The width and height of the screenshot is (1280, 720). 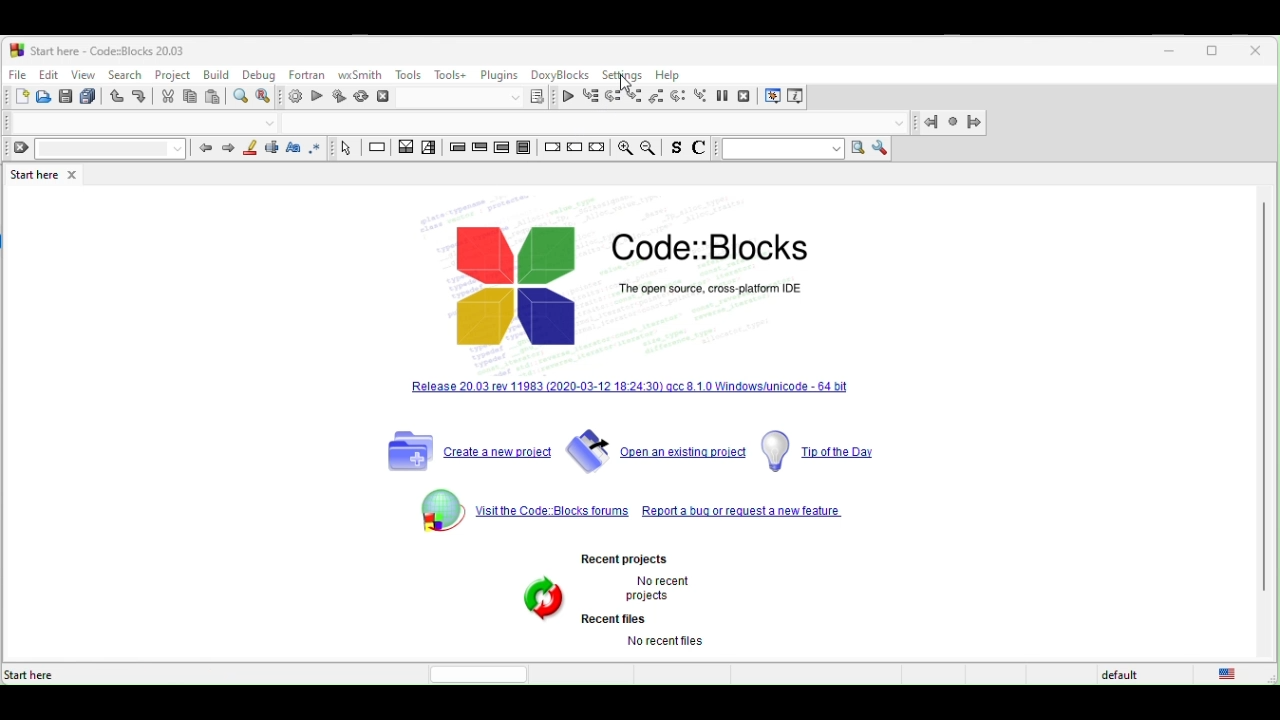 What do you see at coordinates (624, 149) in the screenshot?
I see `zoom in` at bounding box center [624, 149].